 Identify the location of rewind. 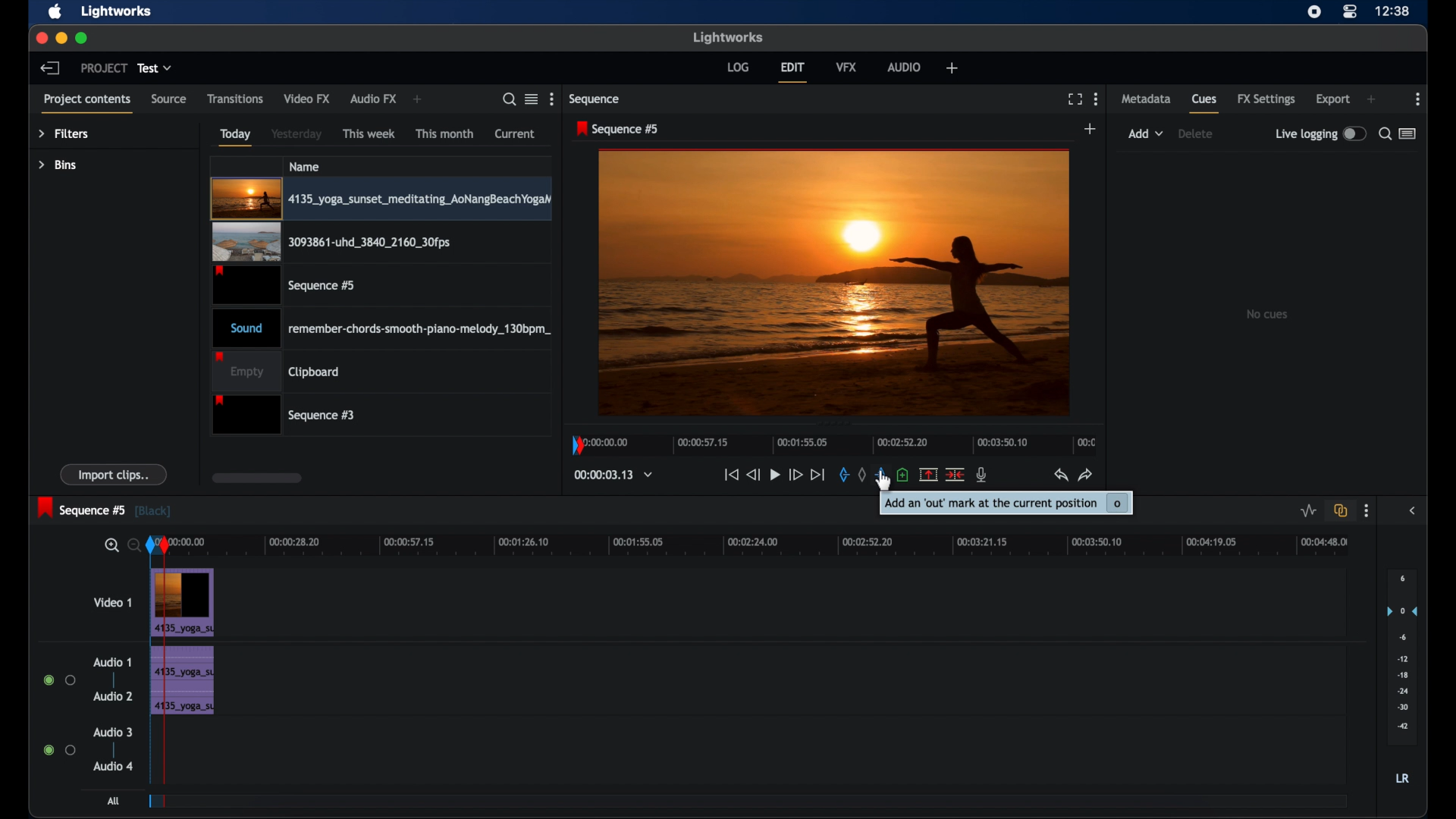
(753, 474).